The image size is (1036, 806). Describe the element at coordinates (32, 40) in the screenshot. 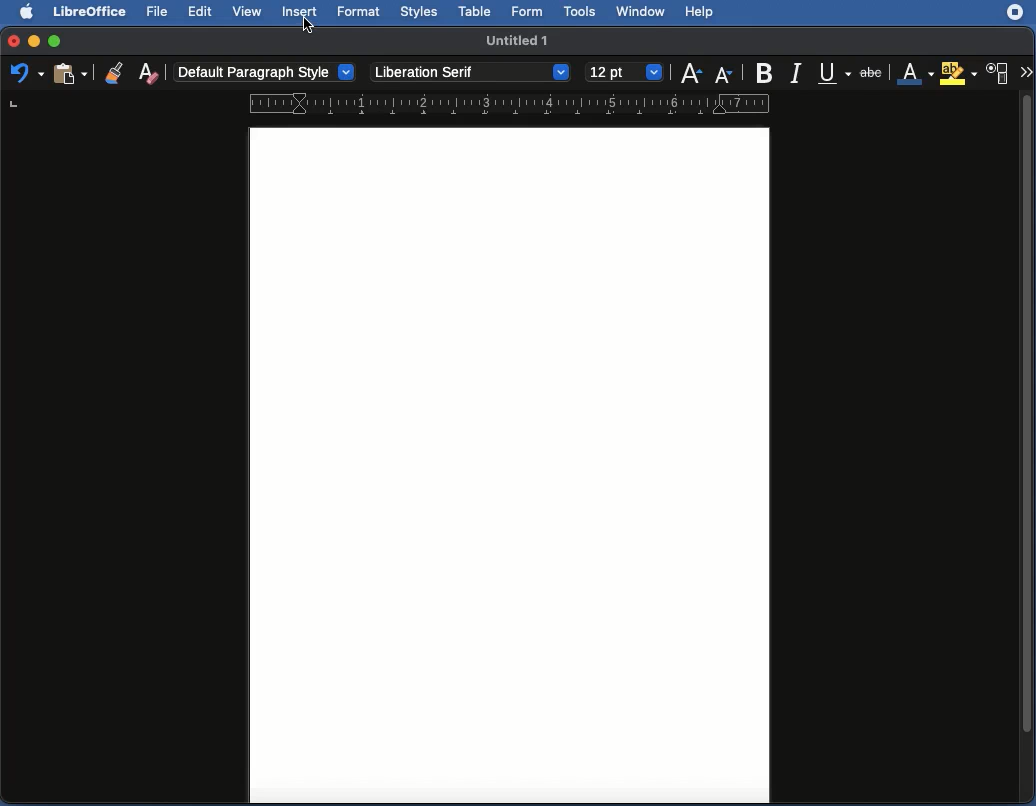

I see `Minimize` at that location.